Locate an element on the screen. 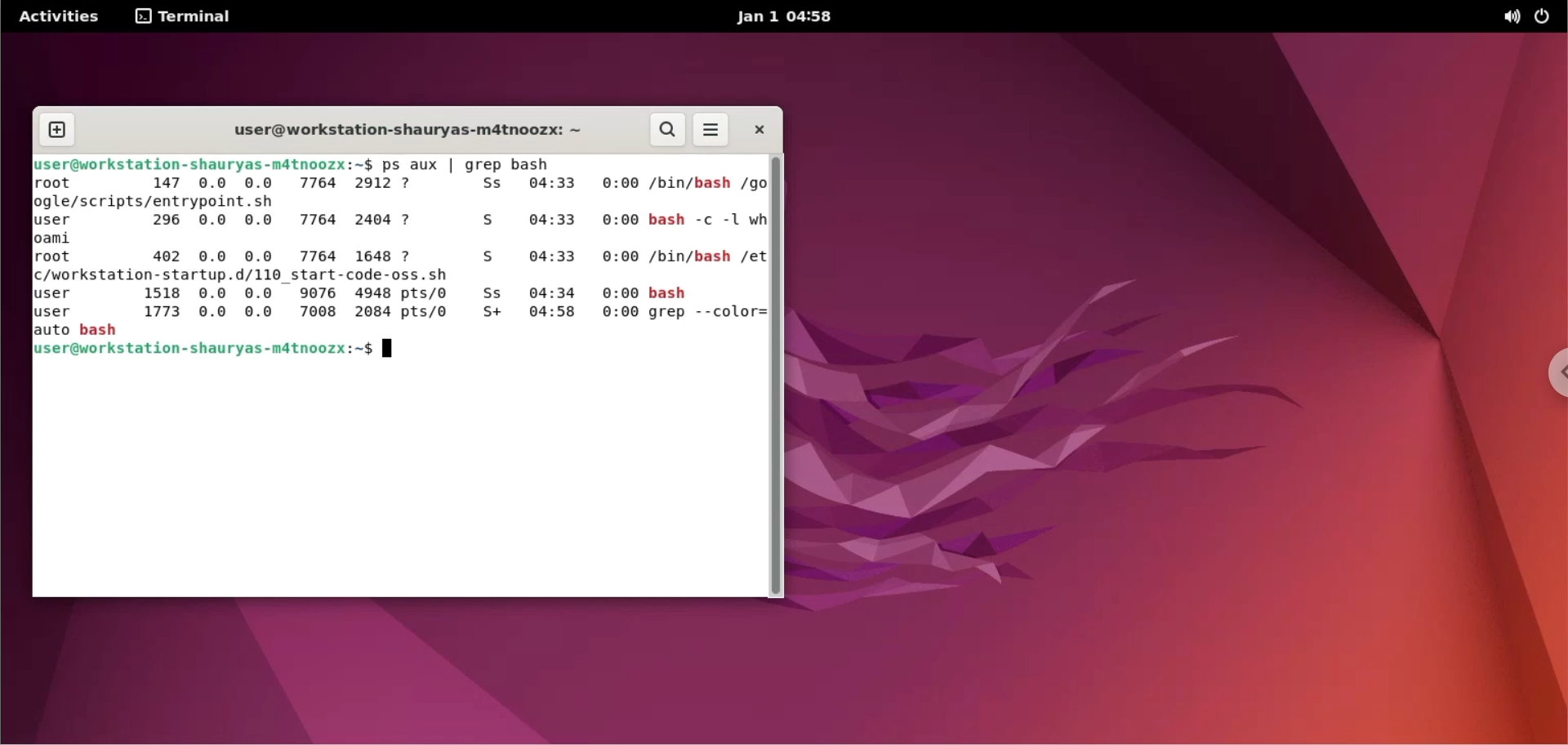 This screenshot has height=745, width=1568. terminal is located at coordinates (185, 17).